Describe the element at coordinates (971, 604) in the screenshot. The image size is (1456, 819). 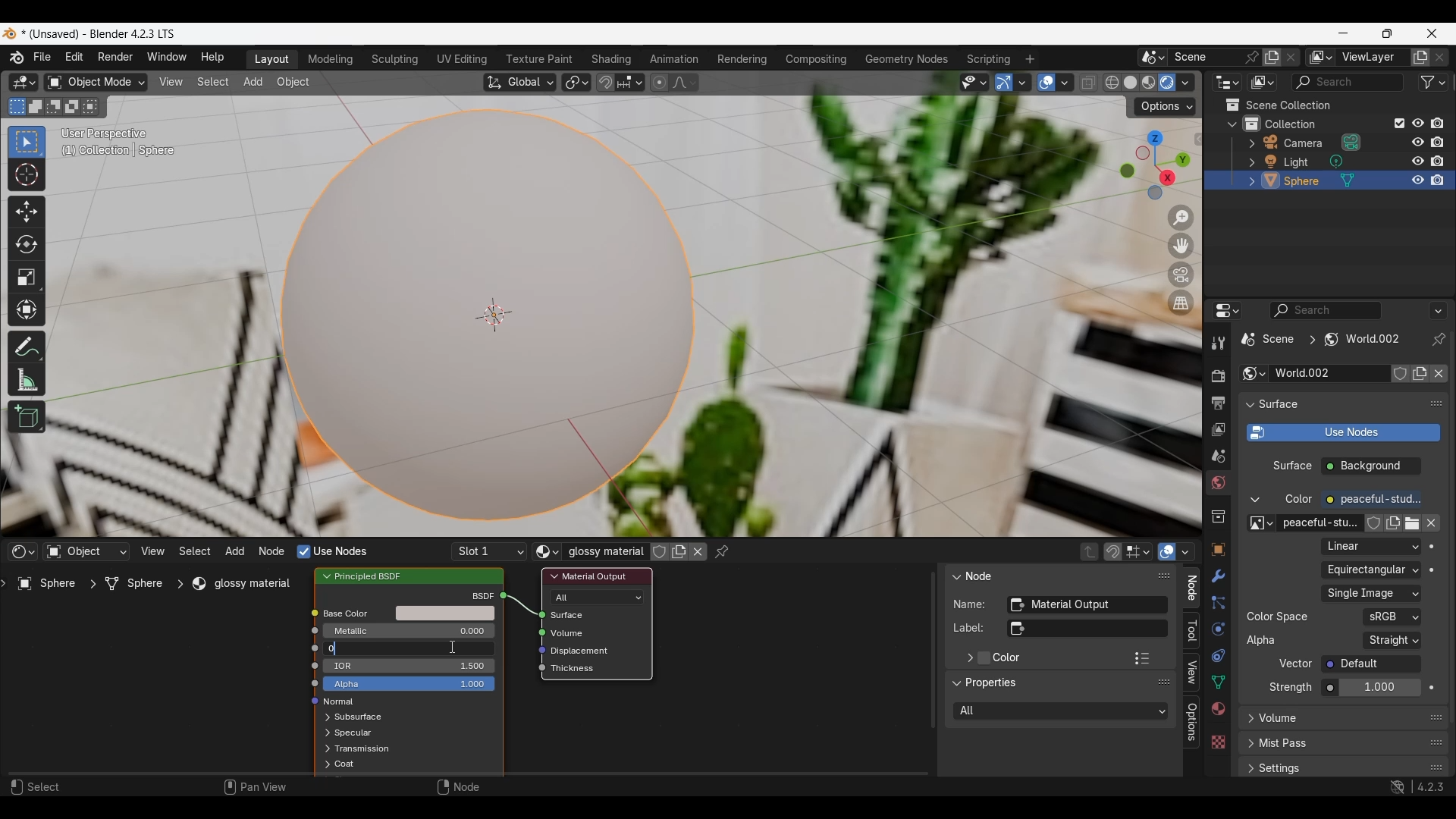
I see `Name:` at that location.